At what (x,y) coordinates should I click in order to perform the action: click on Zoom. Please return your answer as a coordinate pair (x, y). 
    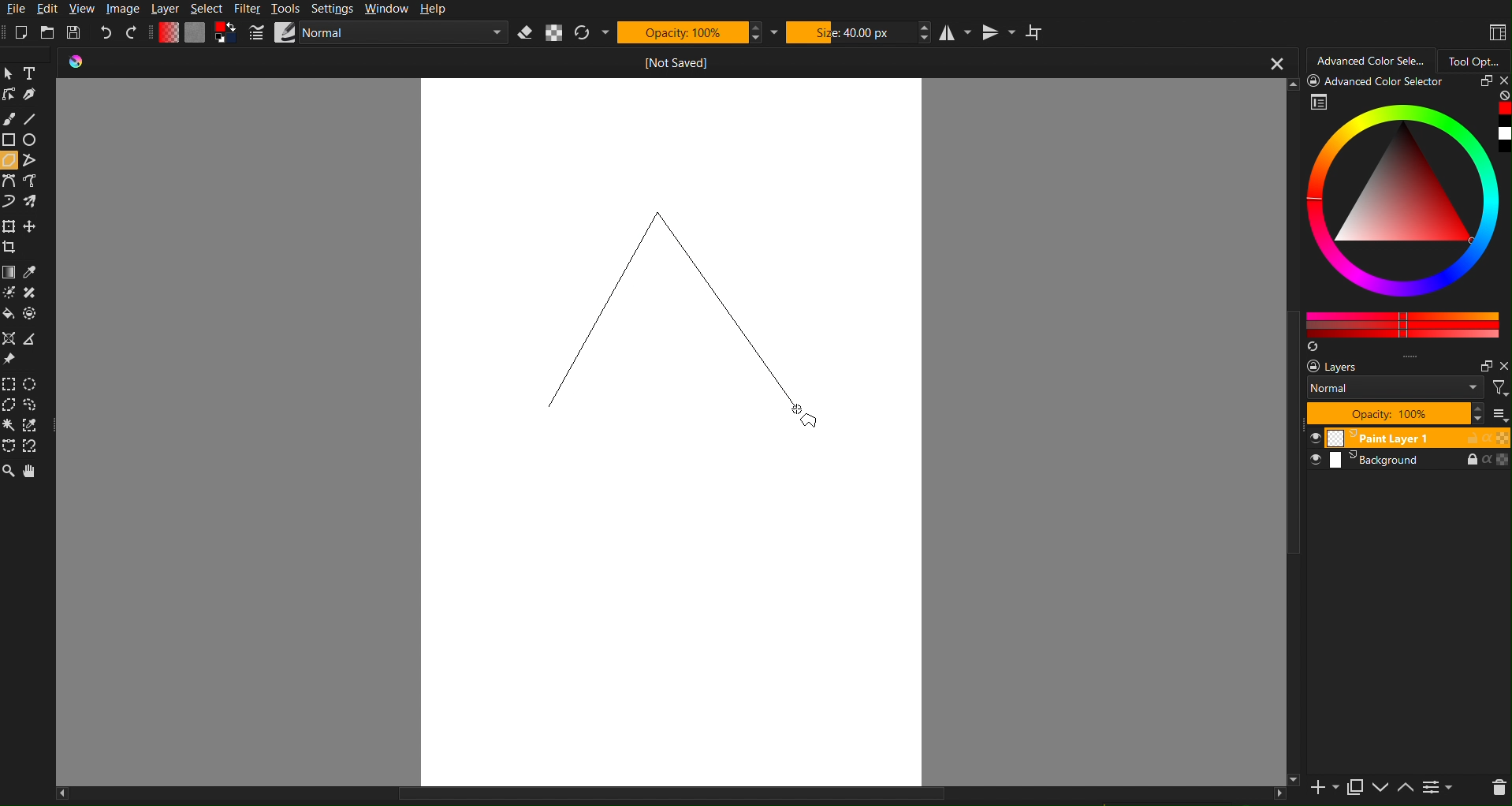
    Looking at the image, I should click on (9, 471).